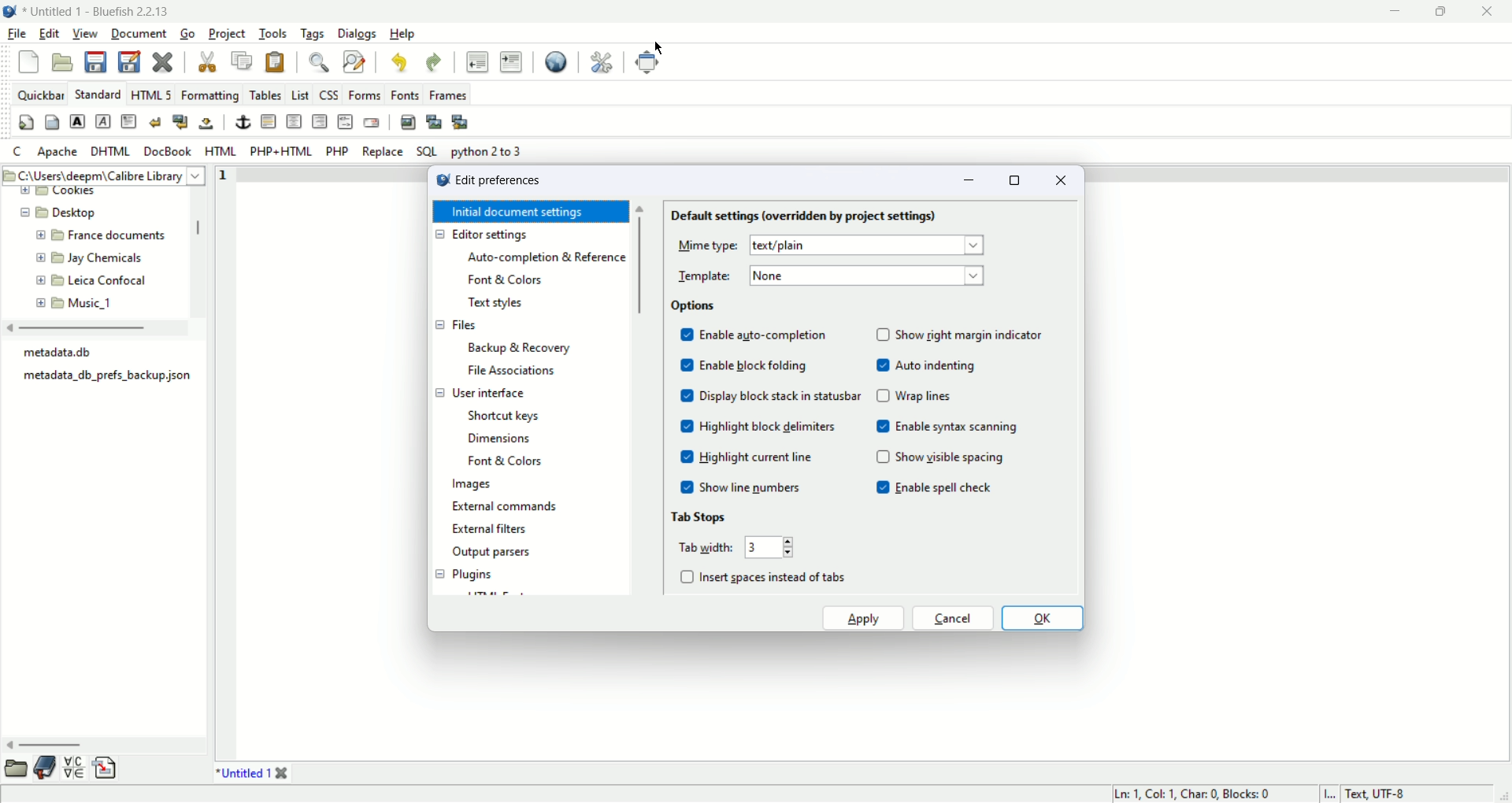 This screenshot has height=803, width=1512. What do you see at coordinates (1380, 793) in the screenshot?
I see `Text,UTF-8` at bounding box center [1380, 793].